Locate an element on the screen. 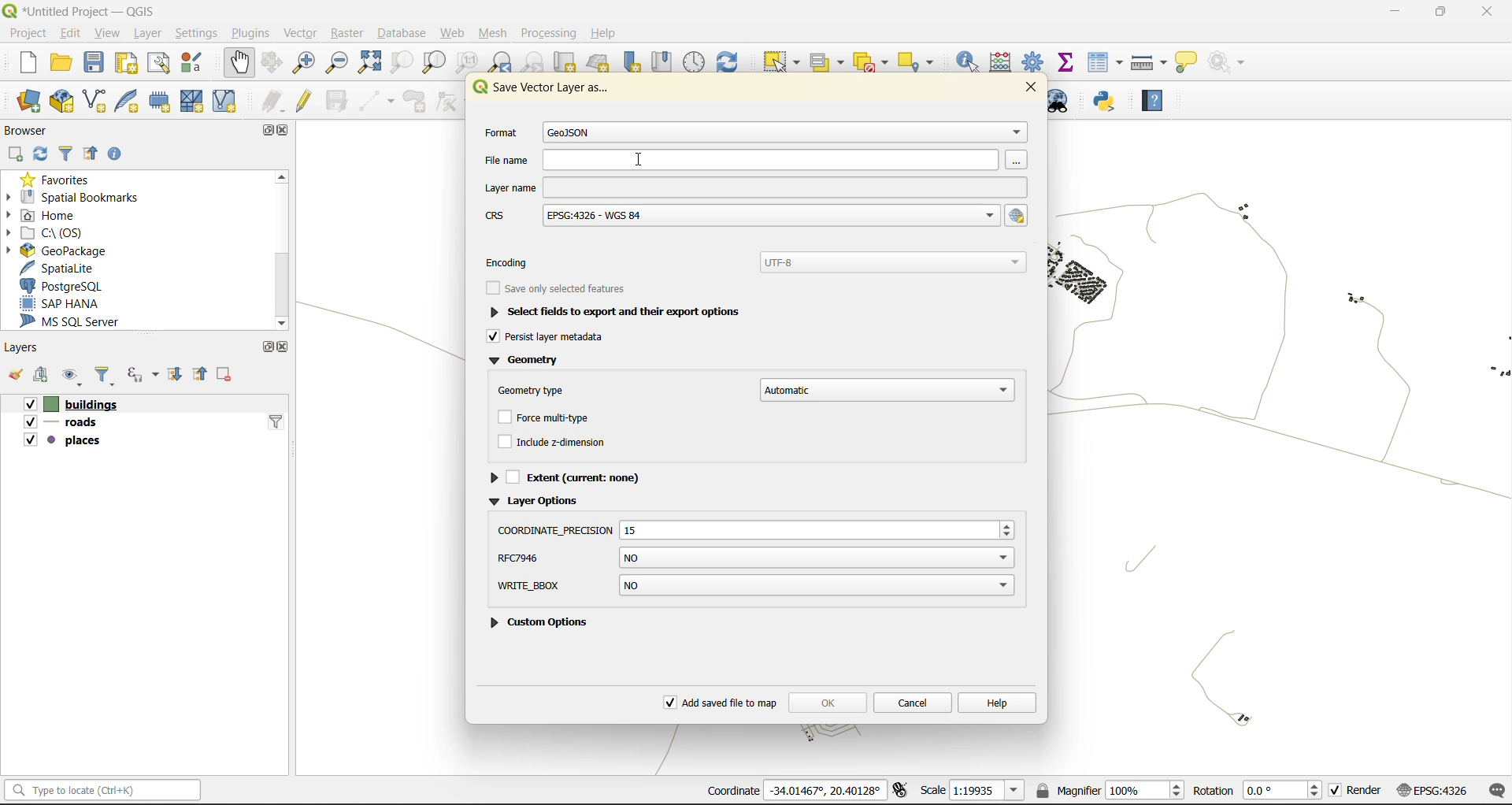  enable properties is located at coordinates (119, 152).